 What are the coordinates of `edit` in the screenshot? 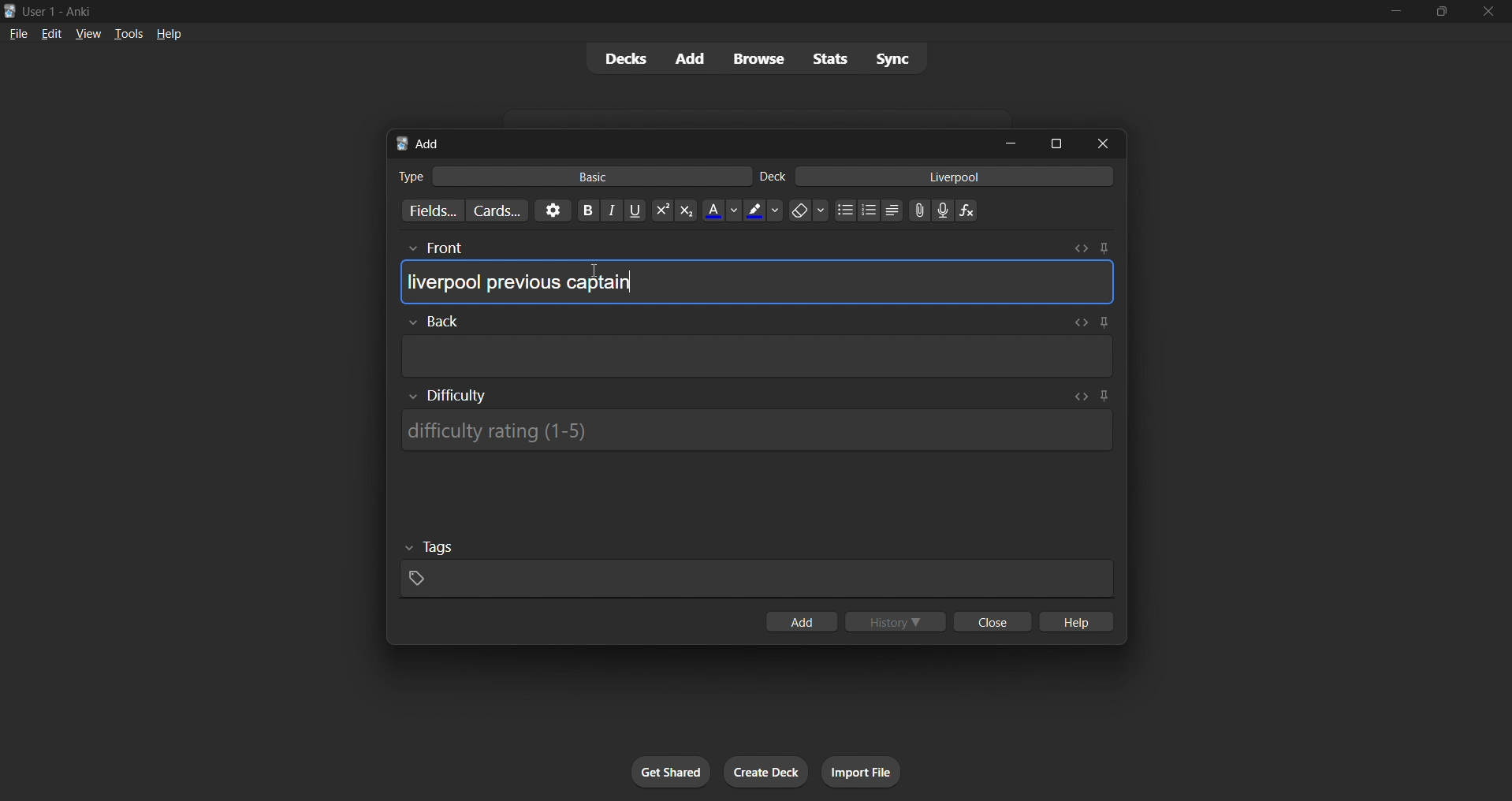 It's located at (47, 32).